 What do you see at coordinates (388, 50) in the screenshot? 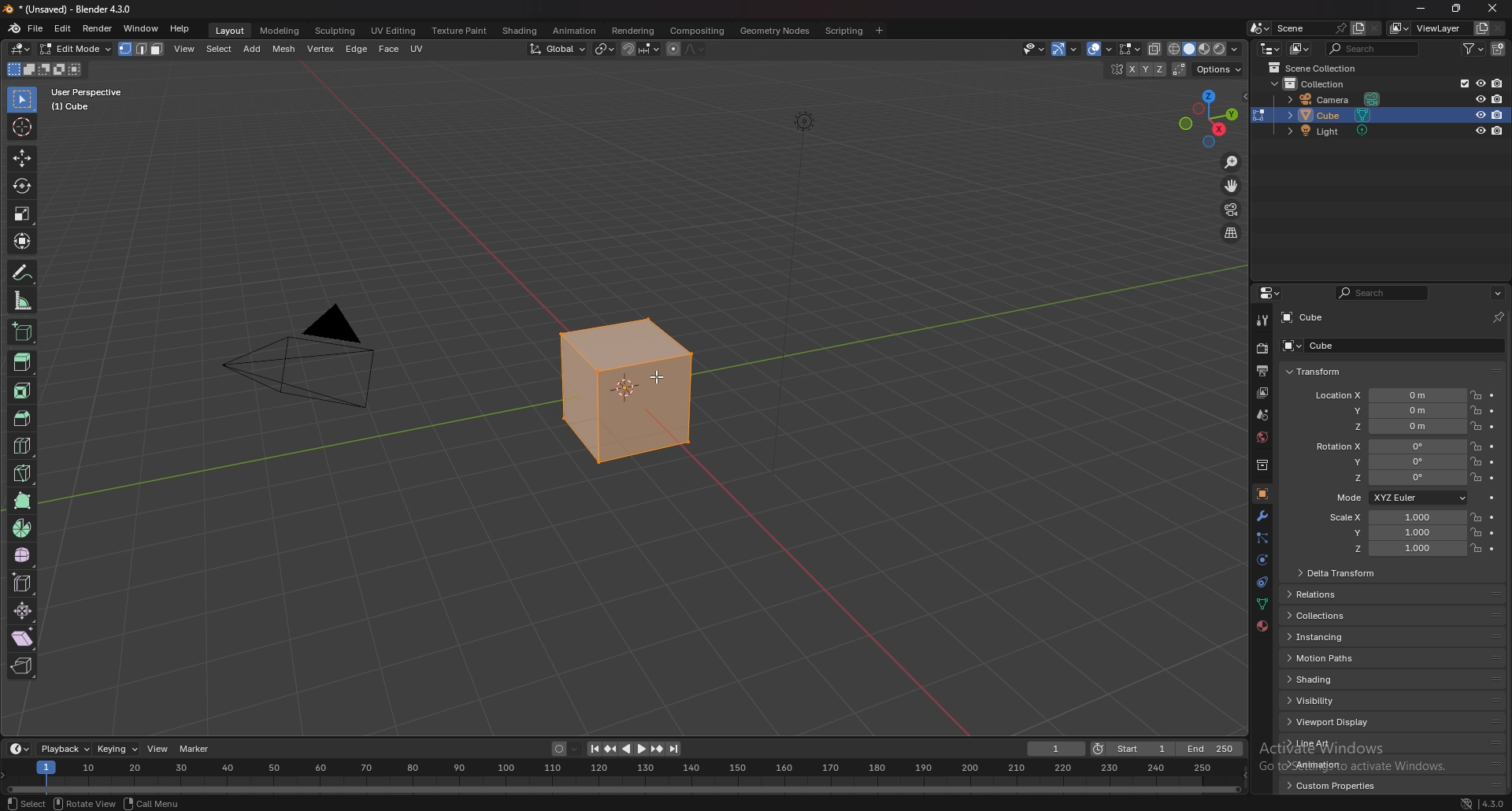
I see `face` at bounding box center [388, 50].